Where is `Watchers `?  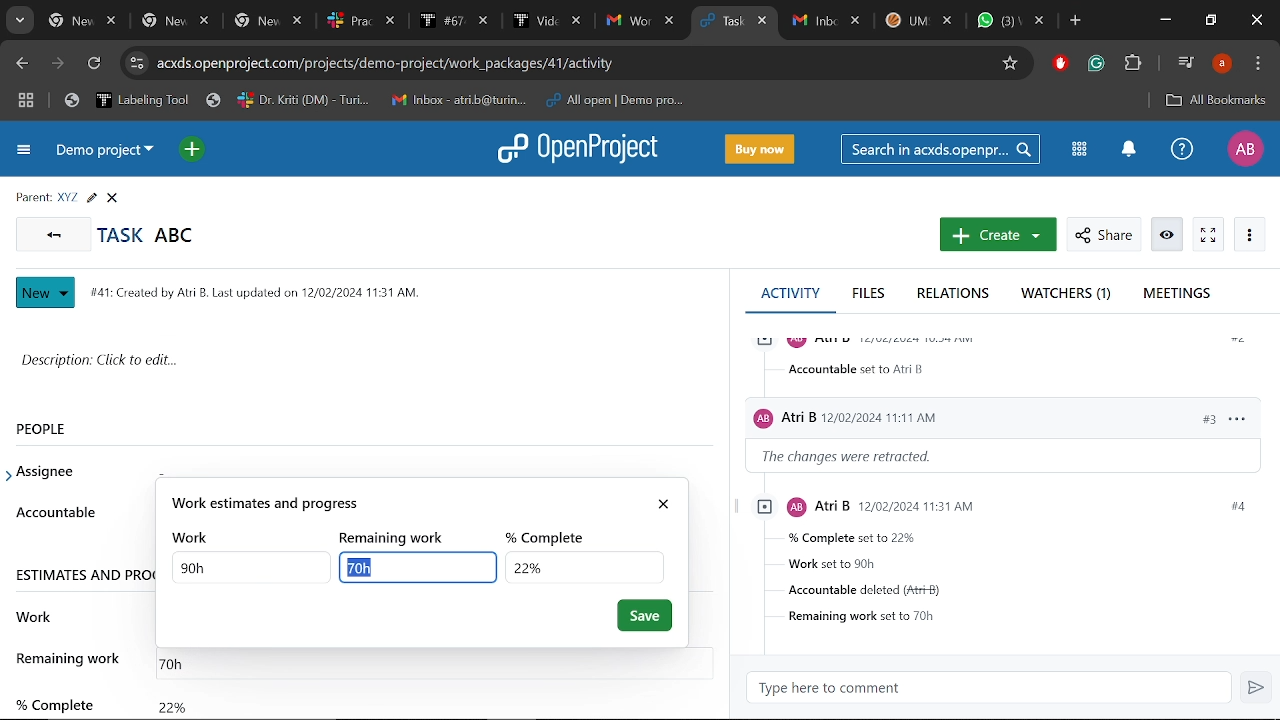 Watchers  is located at coordinates (1069, 295).